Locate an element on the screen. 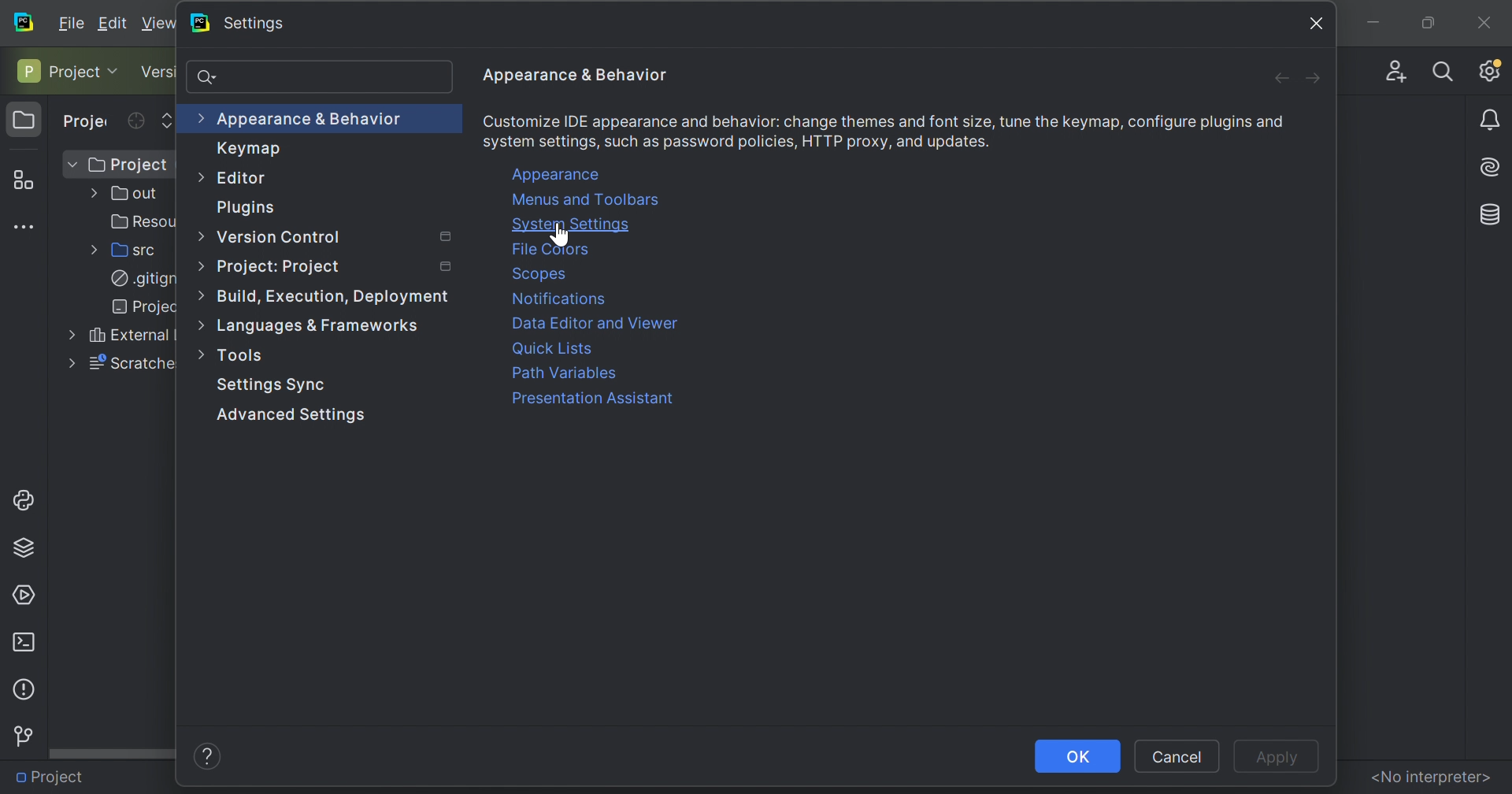 The width and height of the screenshot is (1512, 794). Expand selected is located at coordinates (168, 119).